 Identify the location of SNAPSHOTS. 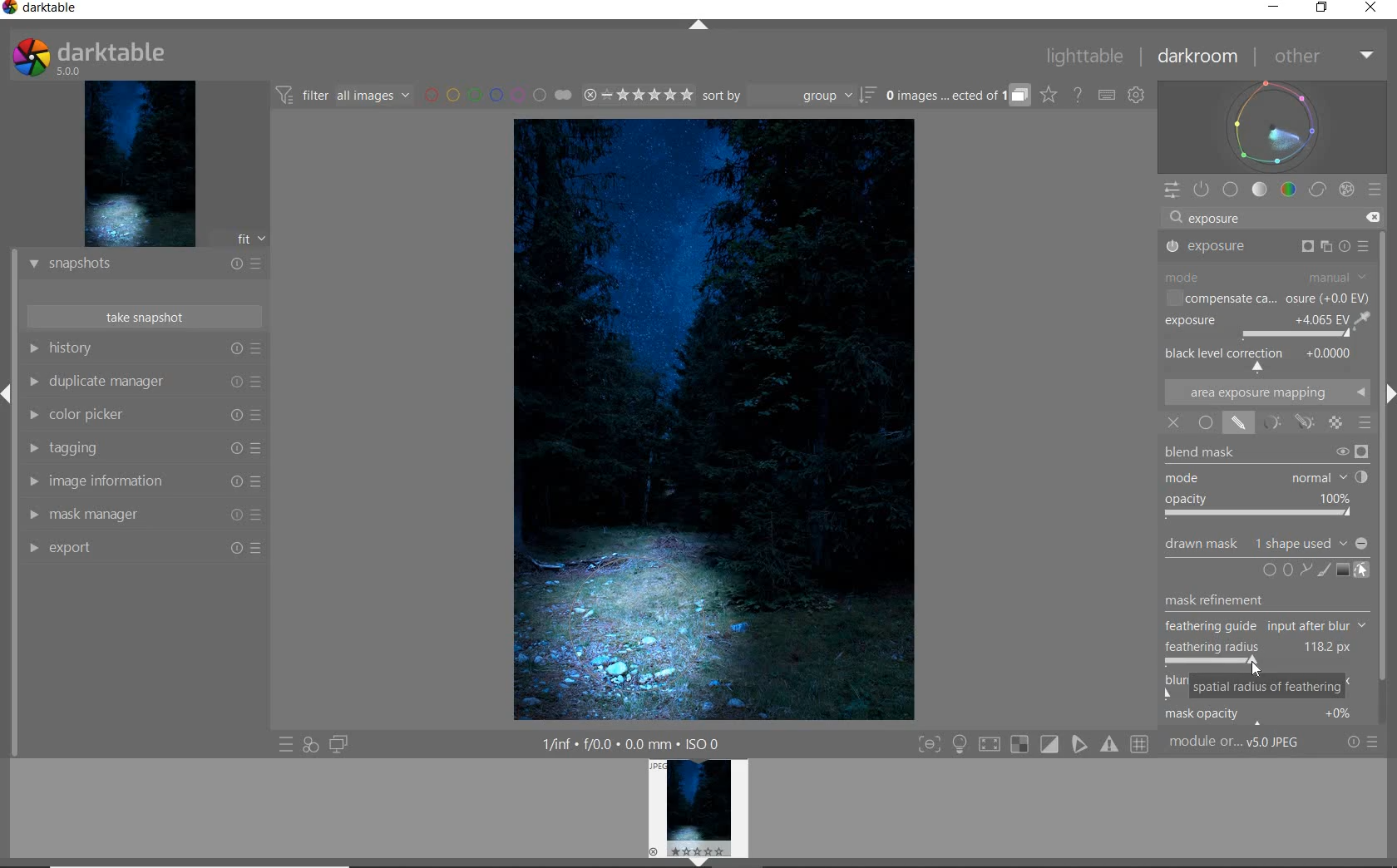
(144, 266).